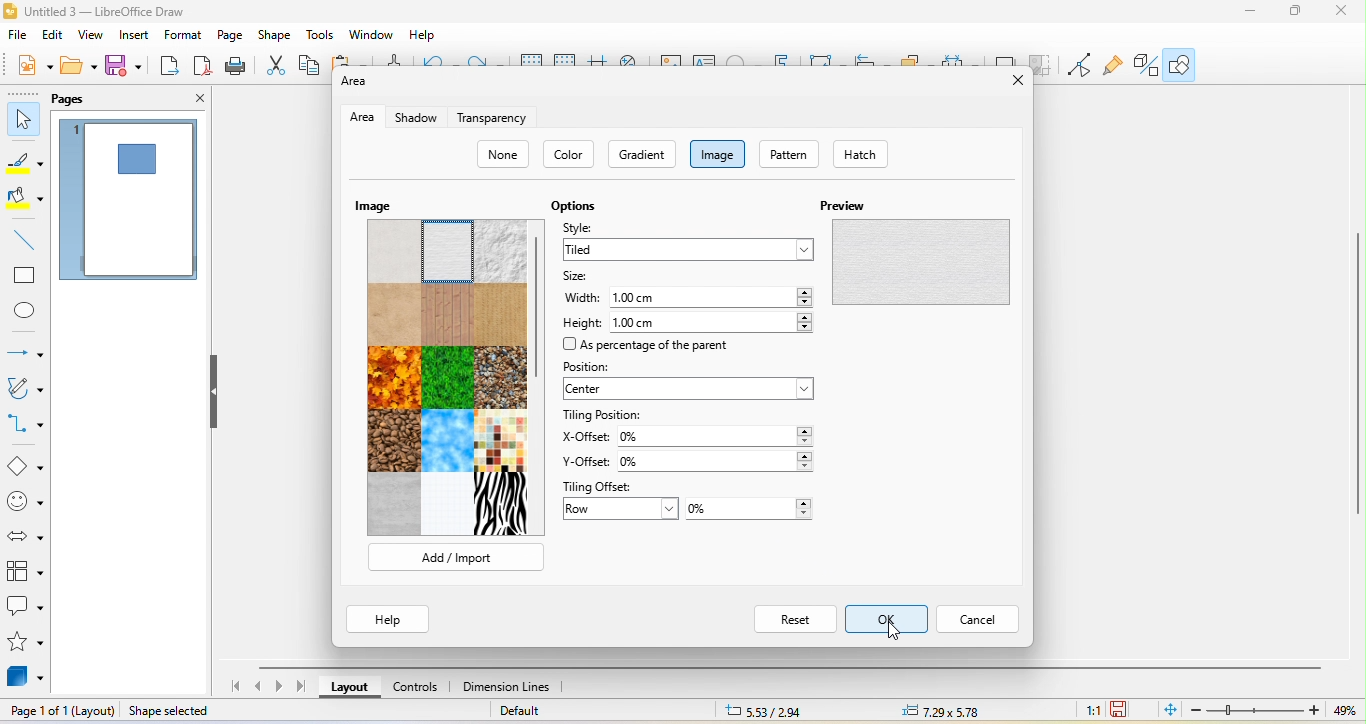 This screenshot has width=1366, height=724. I want to click on export directly as pdf, so click(205, 69).